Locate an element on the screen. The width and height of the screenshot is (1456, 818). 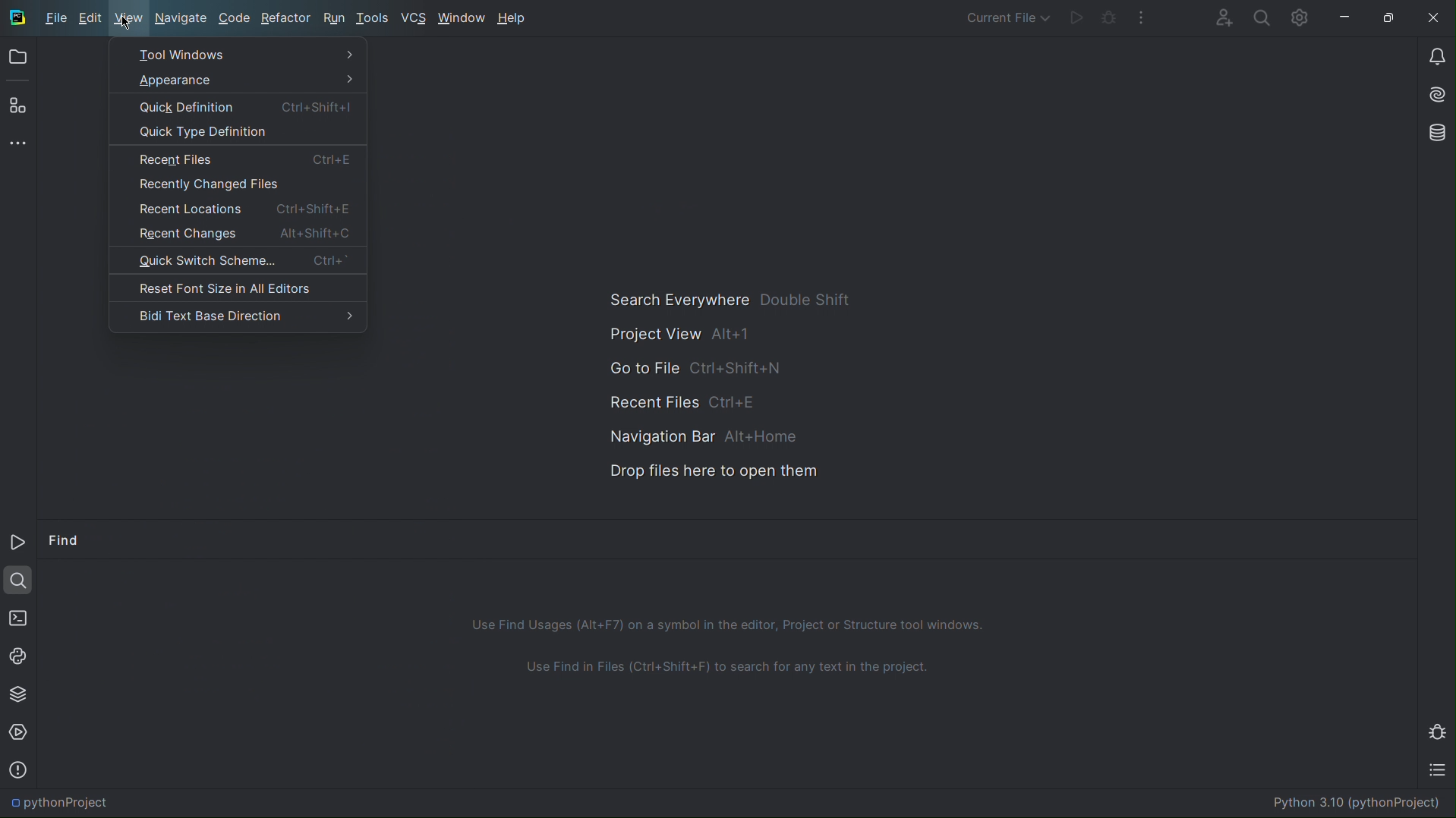
Help is located at coordinates (515, 17).